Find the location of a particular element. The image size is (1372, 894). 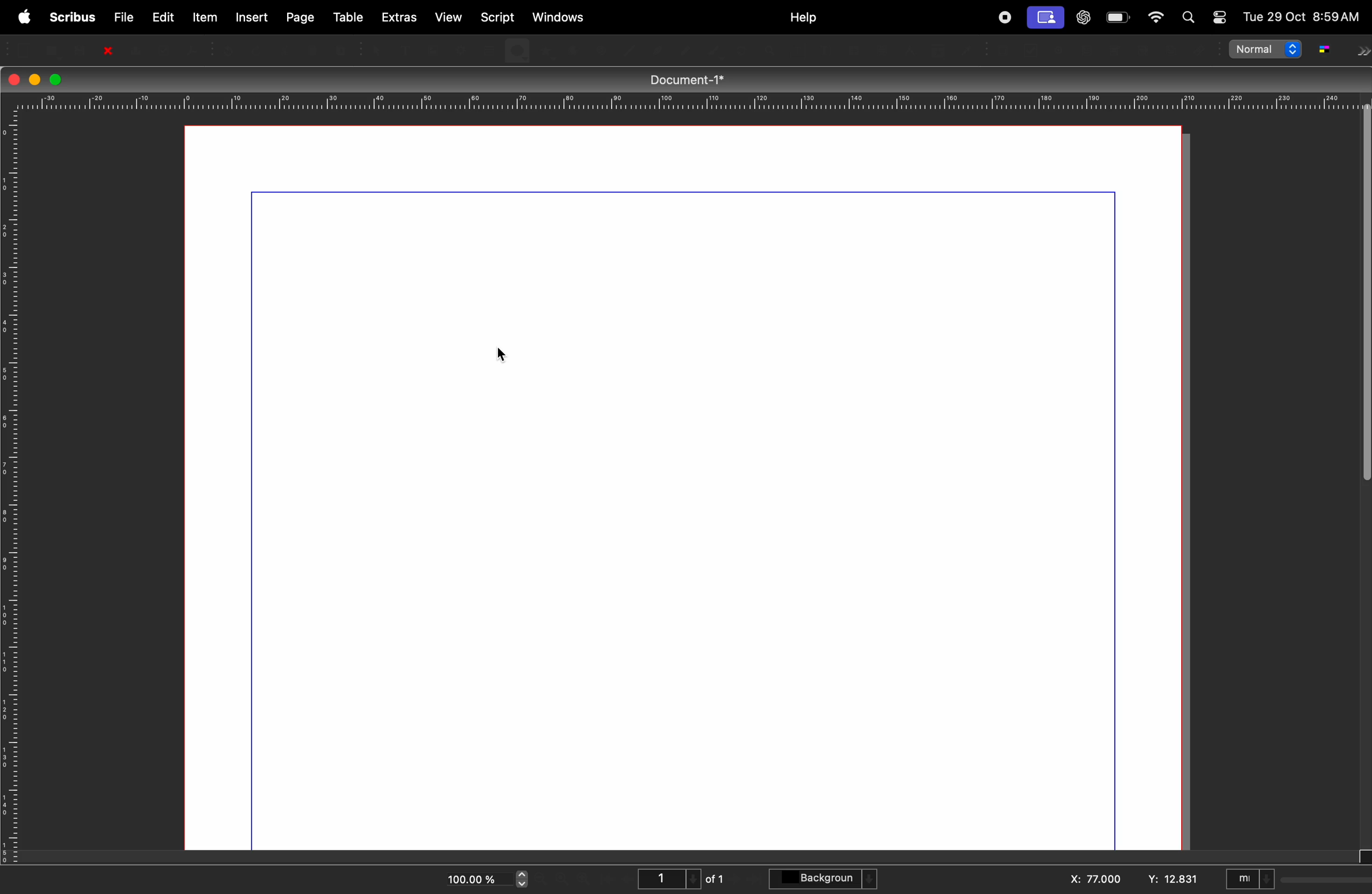

PDF push button is located at coordinates (1007, 51).